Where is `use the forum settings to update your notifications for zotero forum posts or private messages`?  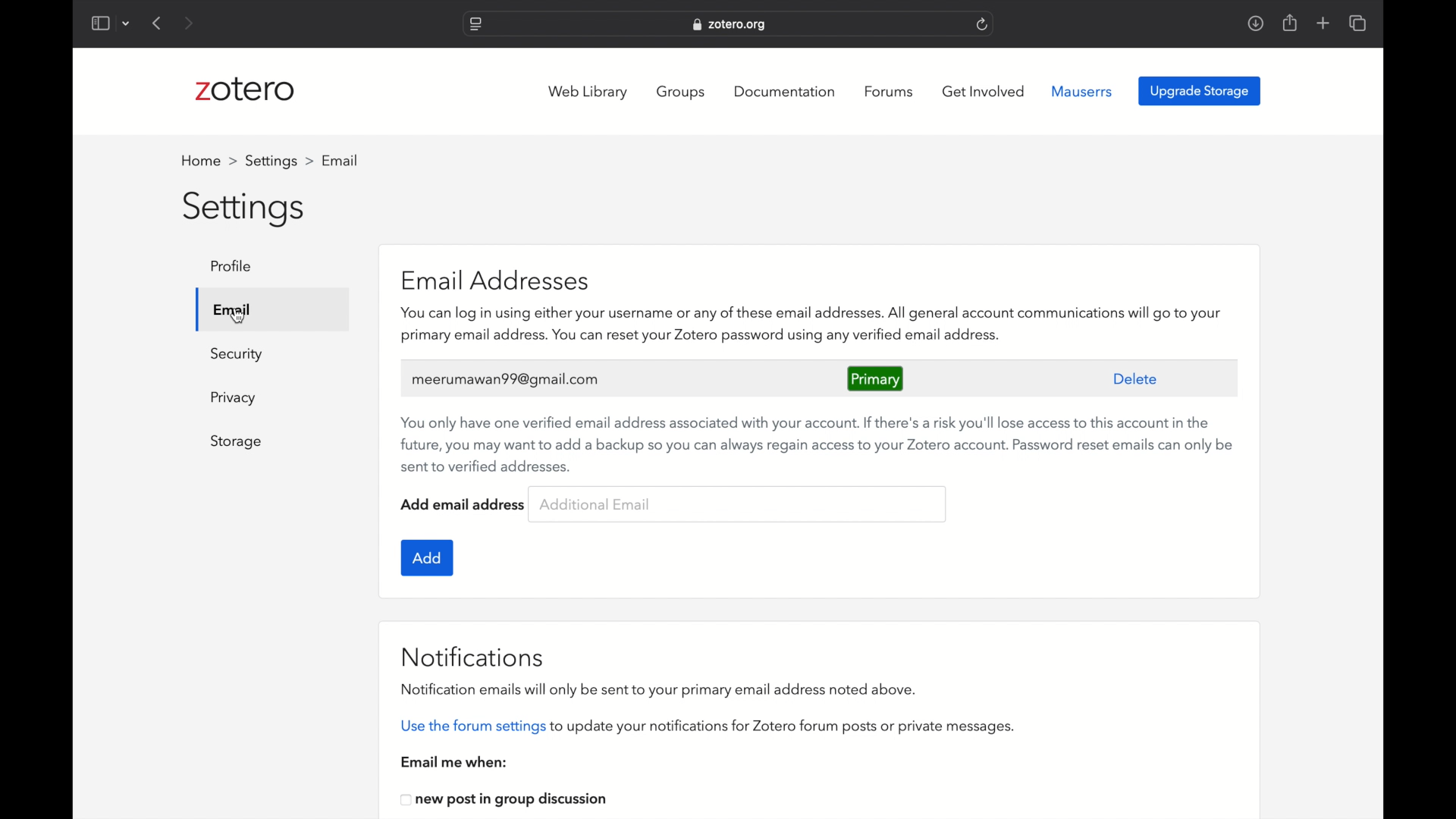 use the forum settings to update your notifications for zotero forum posts or private messages is located at coordinates (707, 728).